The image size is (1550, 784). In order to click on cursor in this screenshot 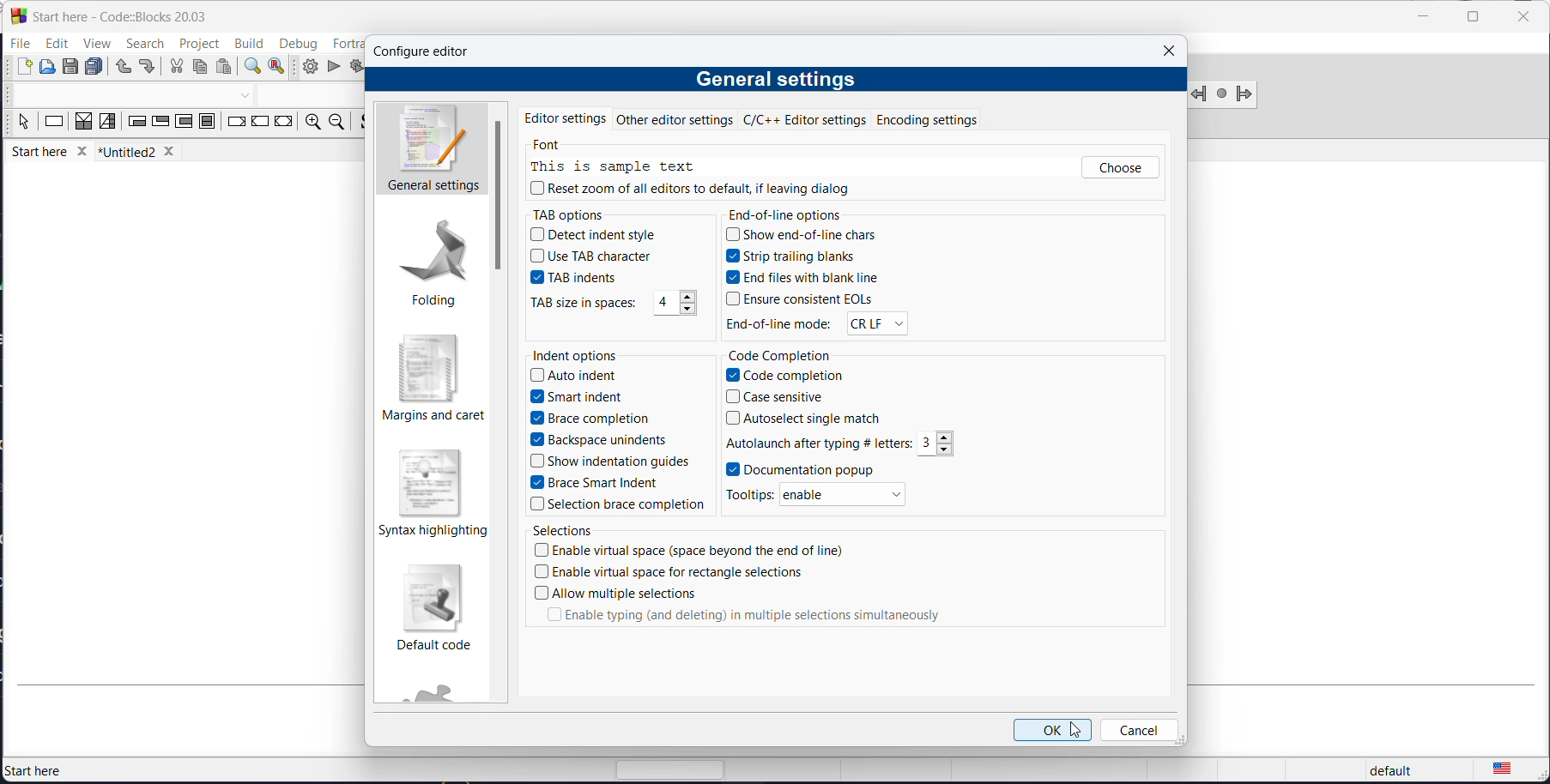, I will do `click(1079, 731)`.